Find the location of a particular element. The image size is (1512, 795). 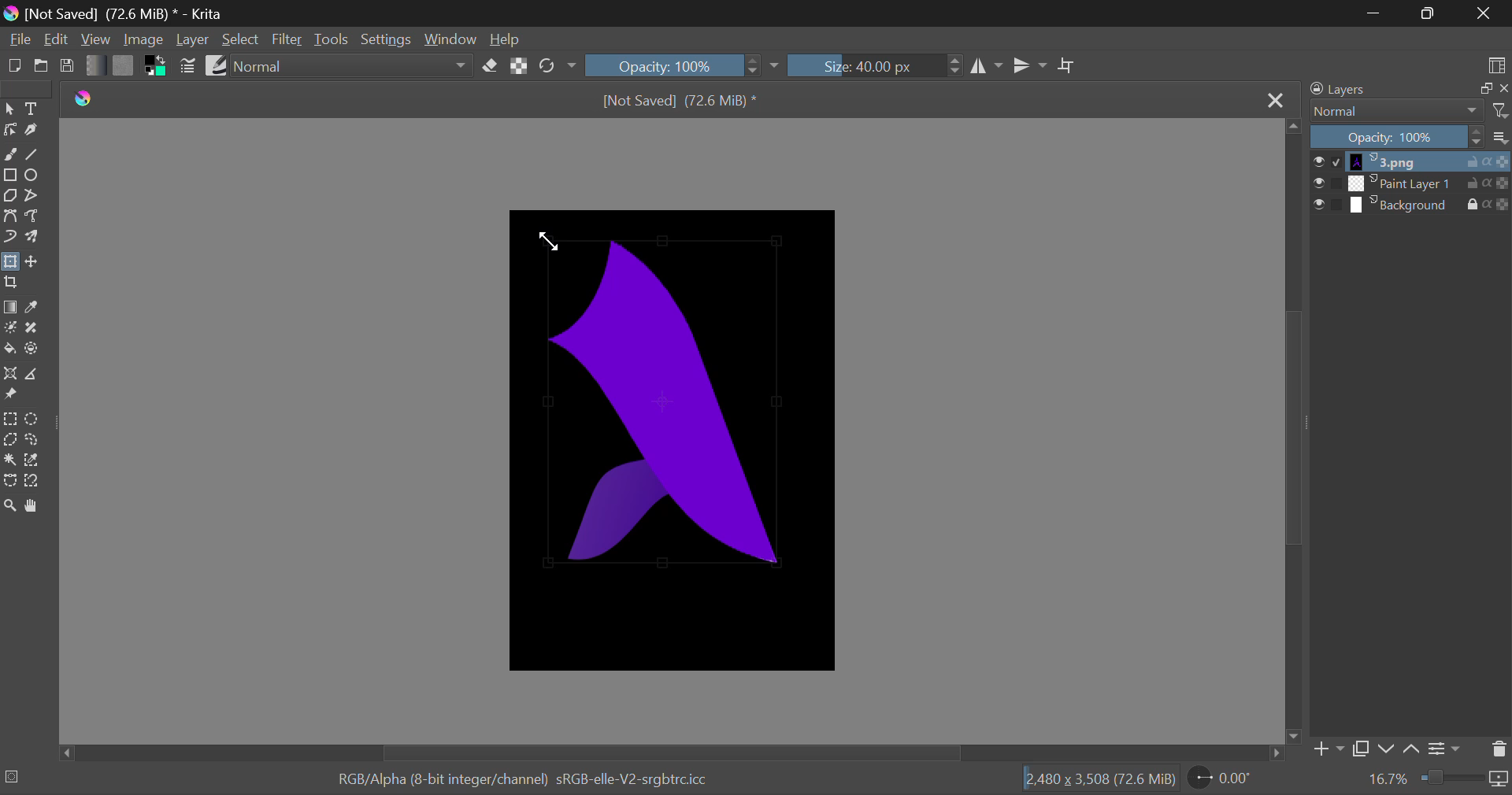

Tools is located at coordinates (334, 39).